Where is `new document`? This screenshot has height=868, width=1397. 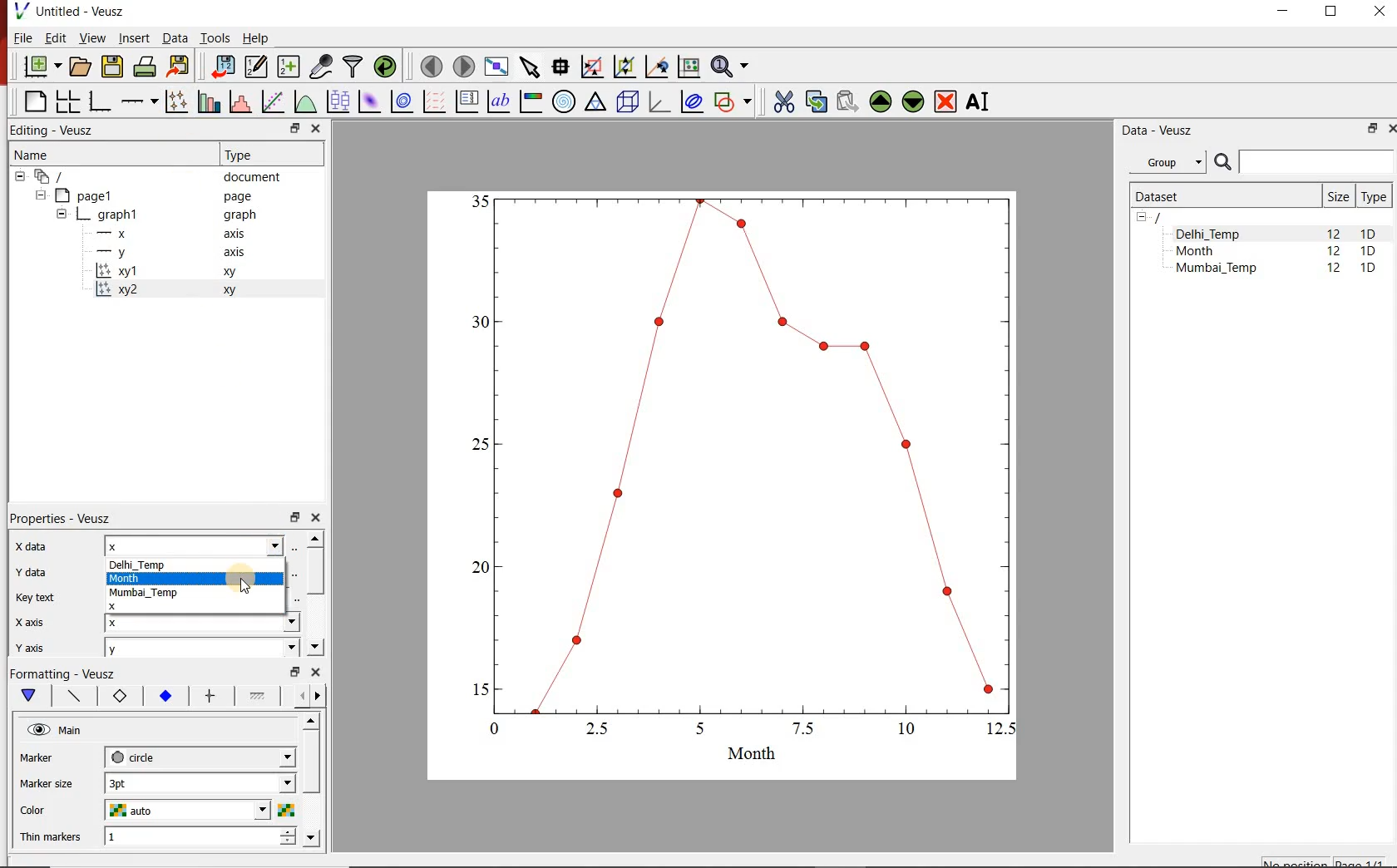 new document is located at coordinates (41, 67).